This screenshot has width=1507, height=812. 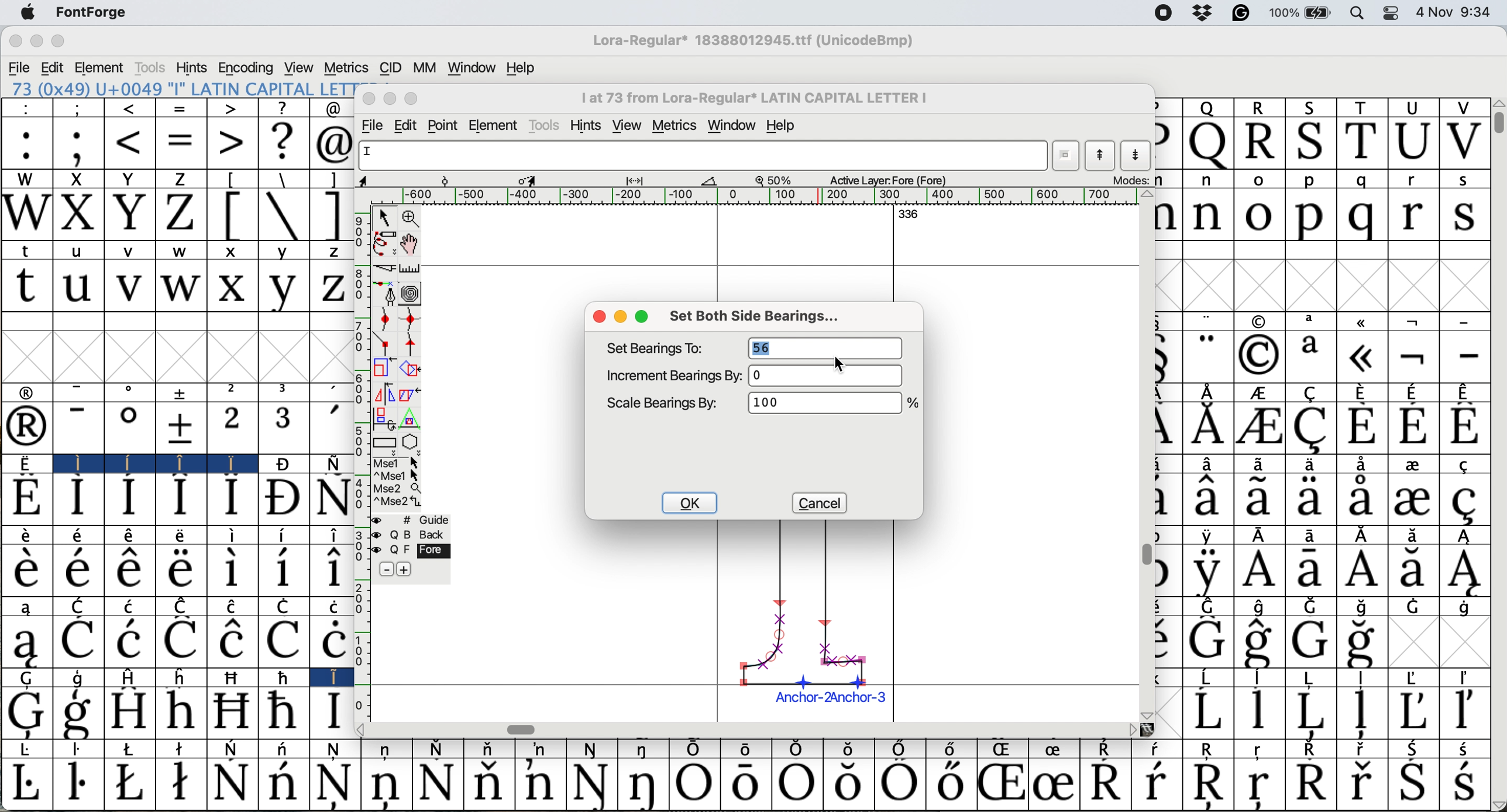 What do you see at coordinates (78, 253) in the screenshot?
I see `u` at bounding box center [78, 253].